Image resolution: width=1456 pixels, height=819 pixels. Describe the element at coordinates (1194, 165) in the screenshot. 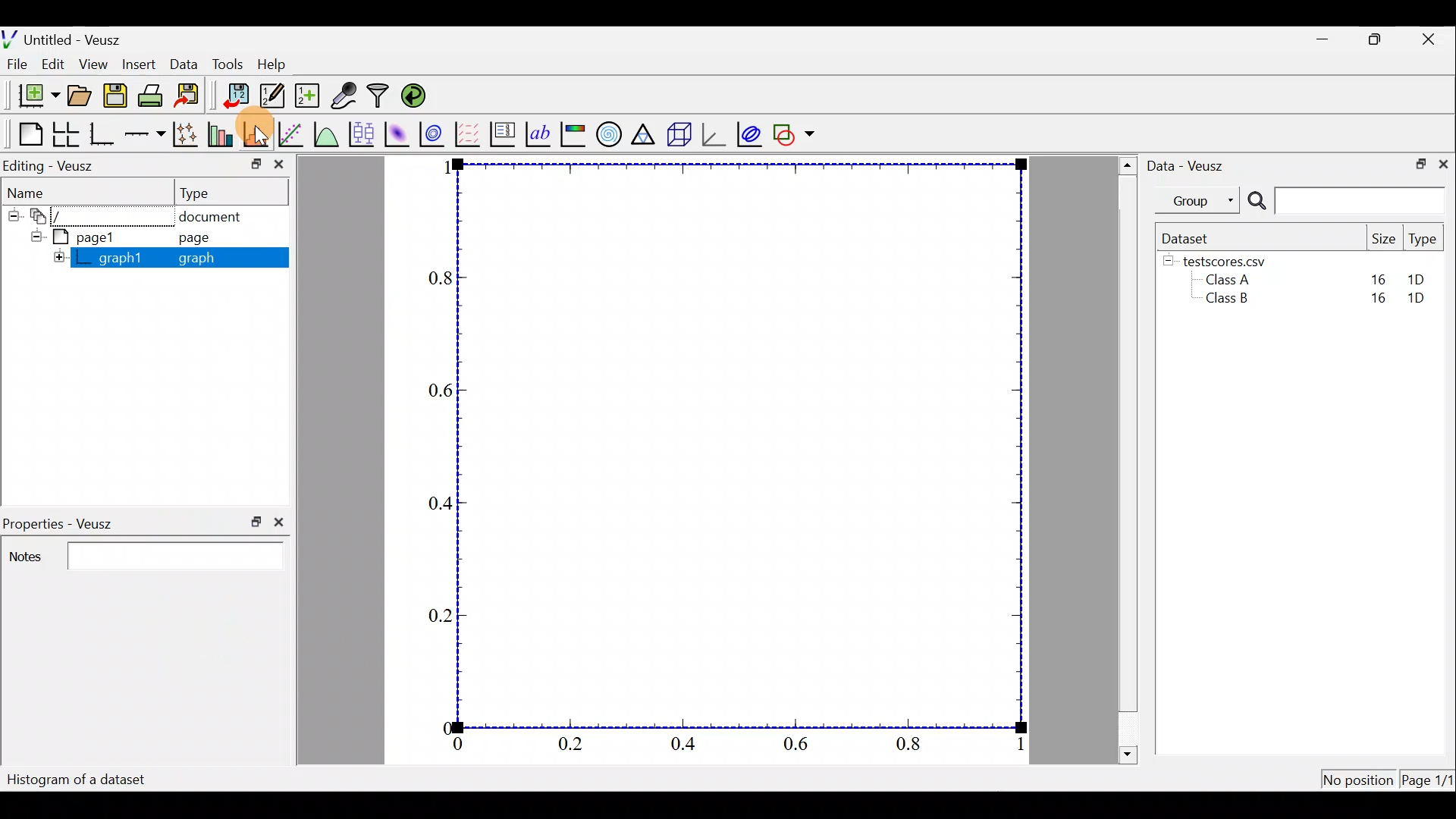

I see `Data - Veusz` at that location.